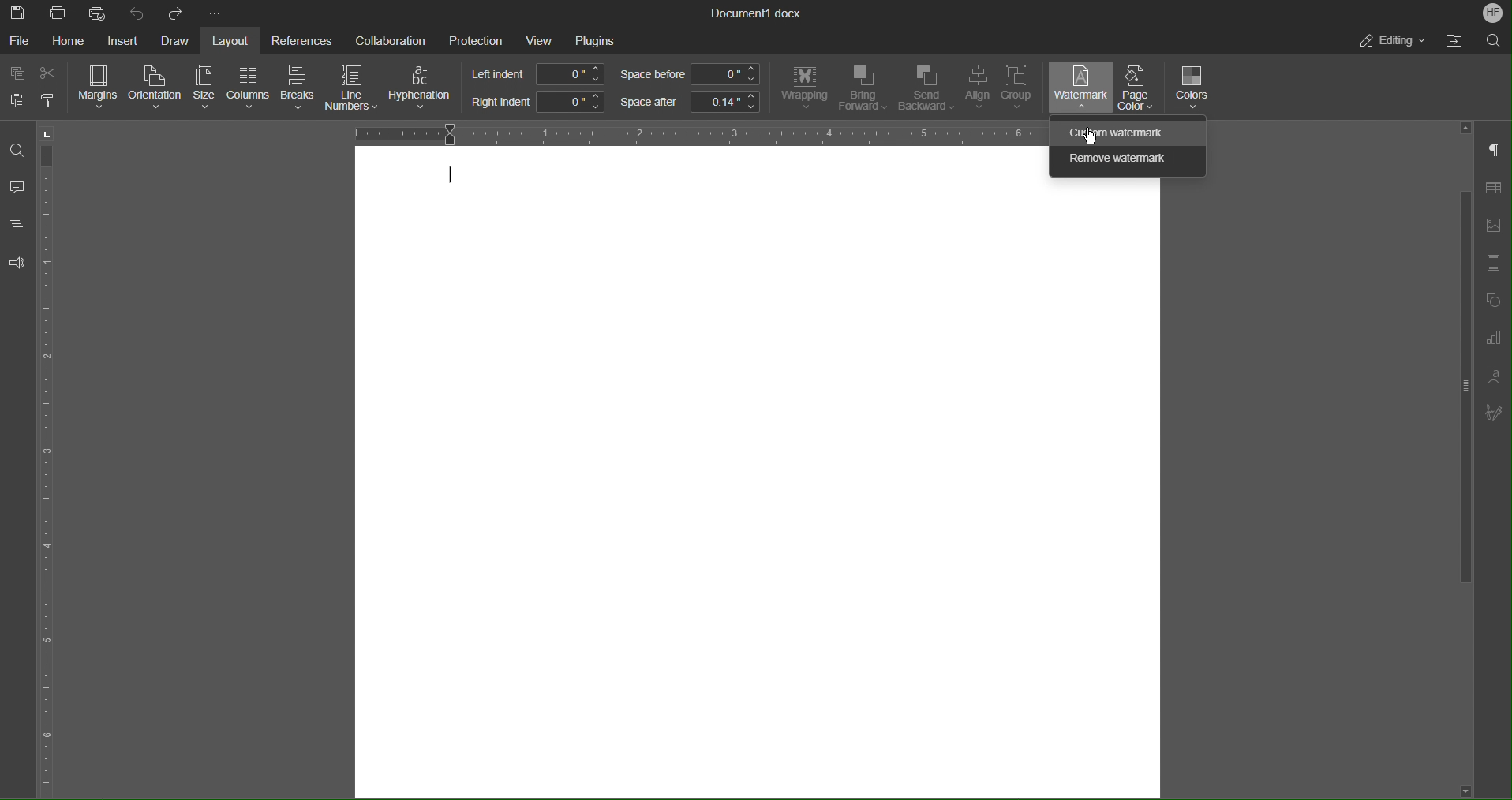  I want to click on Wrapping, so click(804, 88).